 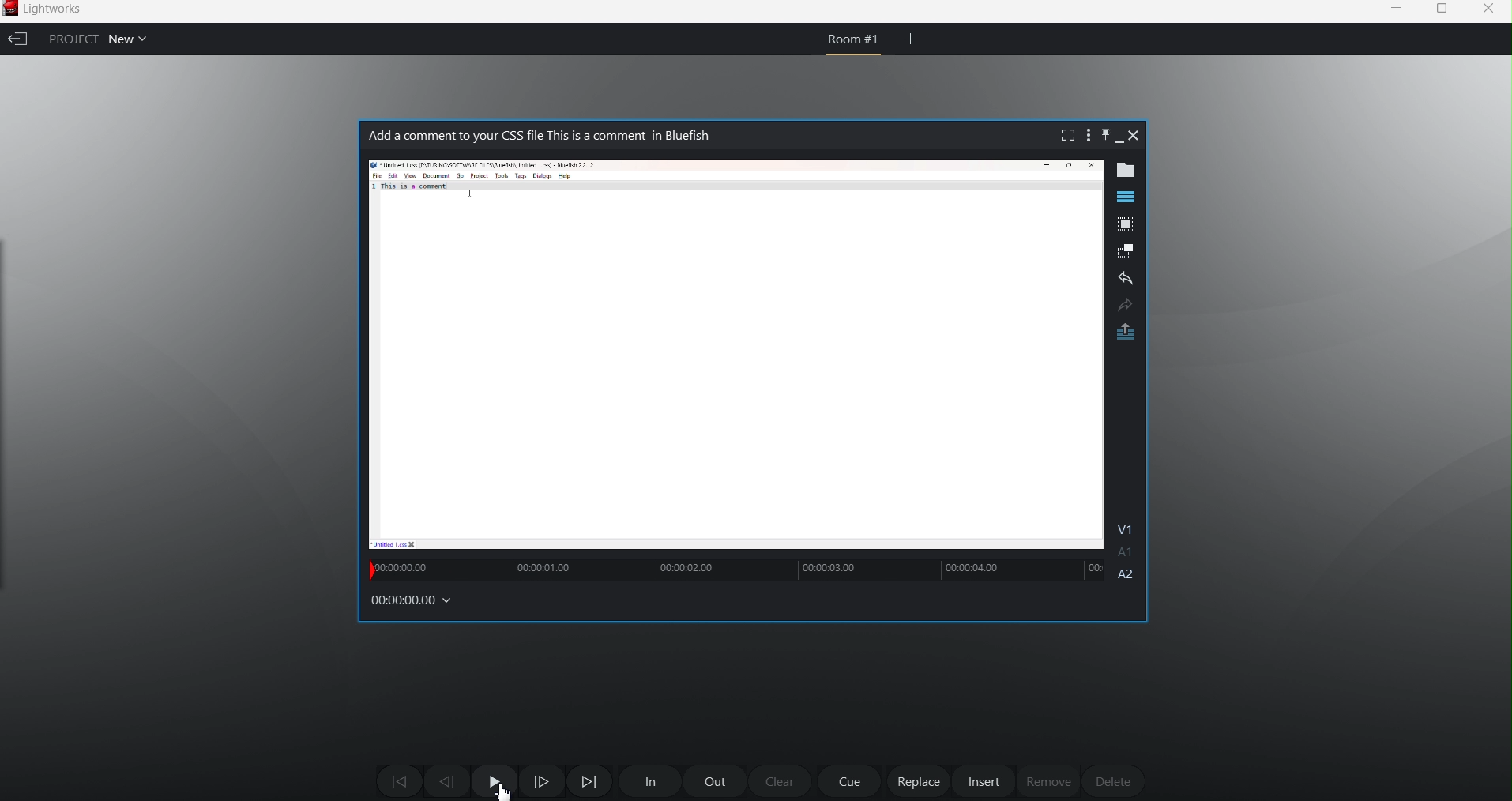 What do you see at coordinates (1124, 226) in the screenshot?
I see `pop out tile` at bounding box center [1124, 226].